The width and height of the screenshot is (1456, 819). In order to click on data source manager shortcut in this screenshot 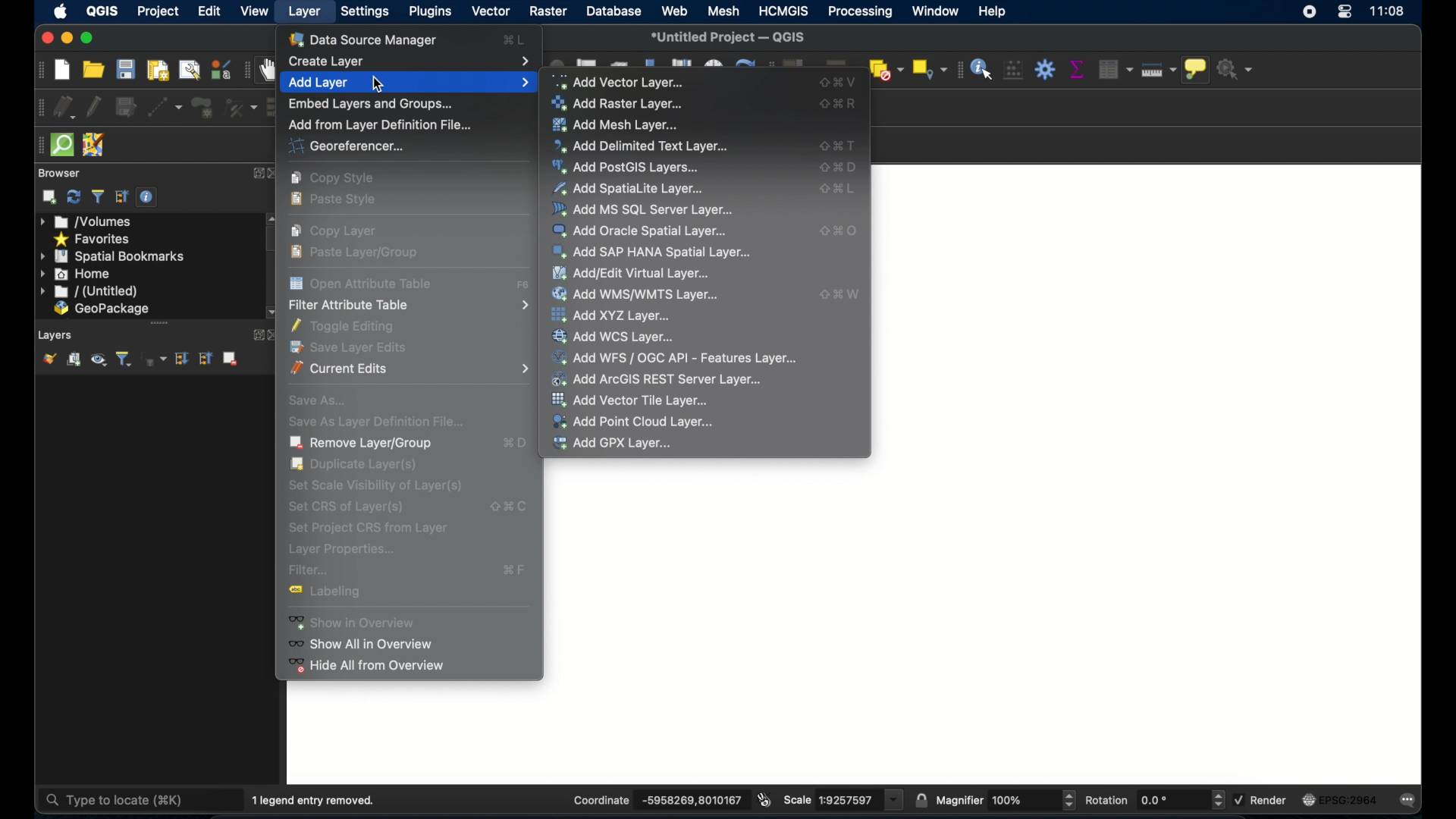, I will do `click(513, 39)`.